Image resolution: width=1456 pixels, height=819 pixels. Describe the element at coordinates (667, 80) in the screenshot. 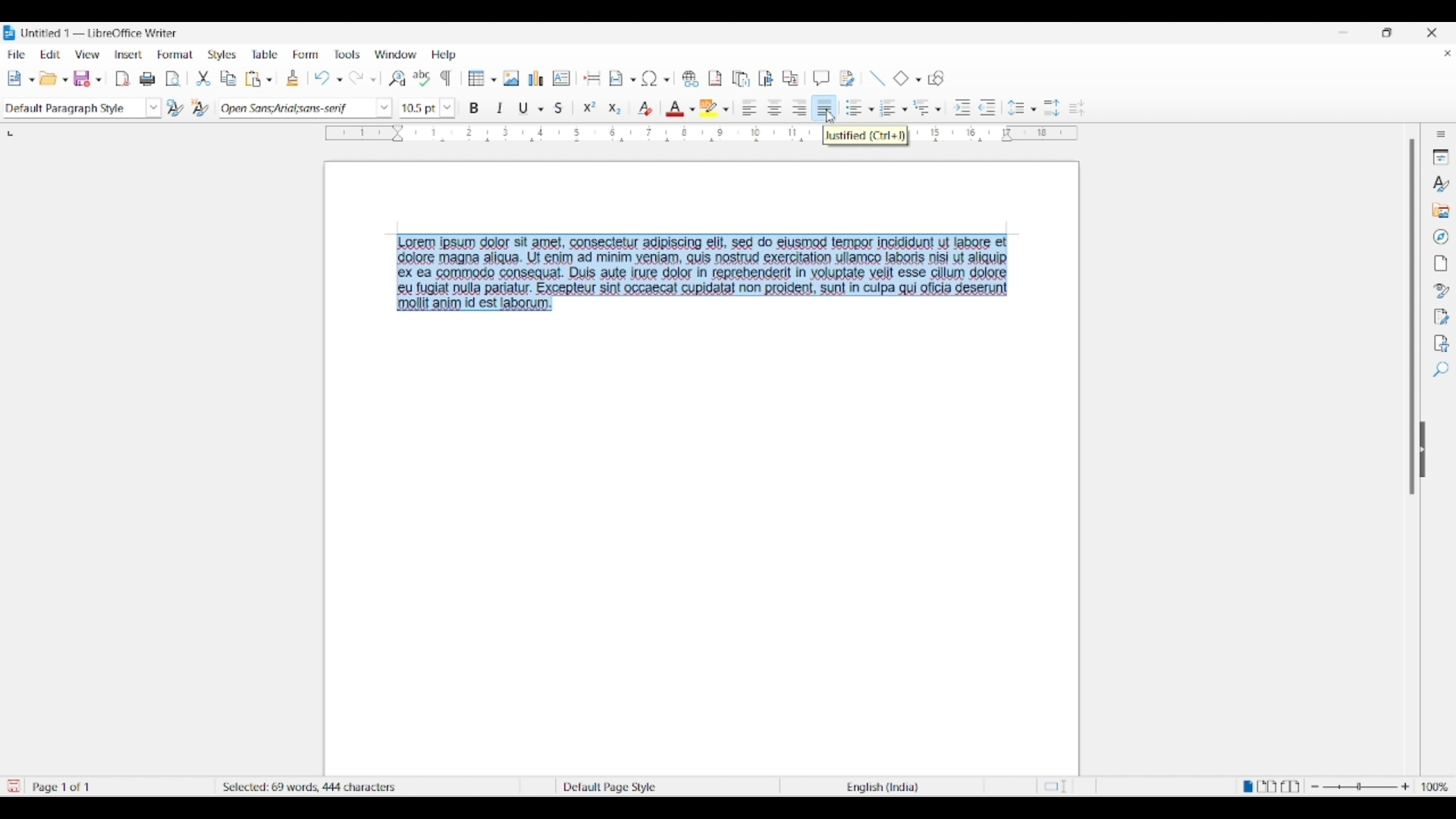

I see `Special character options` at that location.